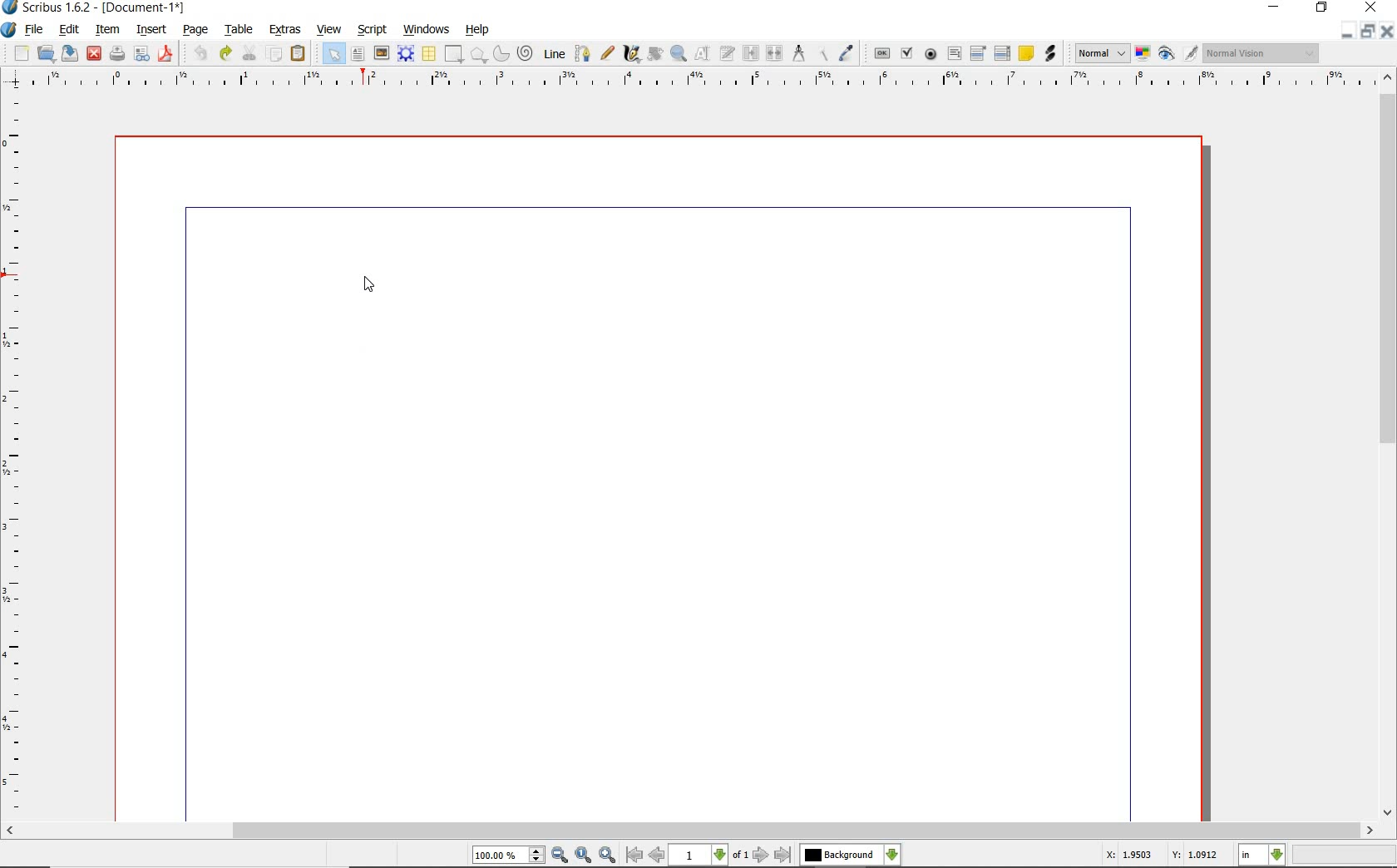 This screenshot has width=1397, height=868. I want to click on restore, so click(1366, 32).